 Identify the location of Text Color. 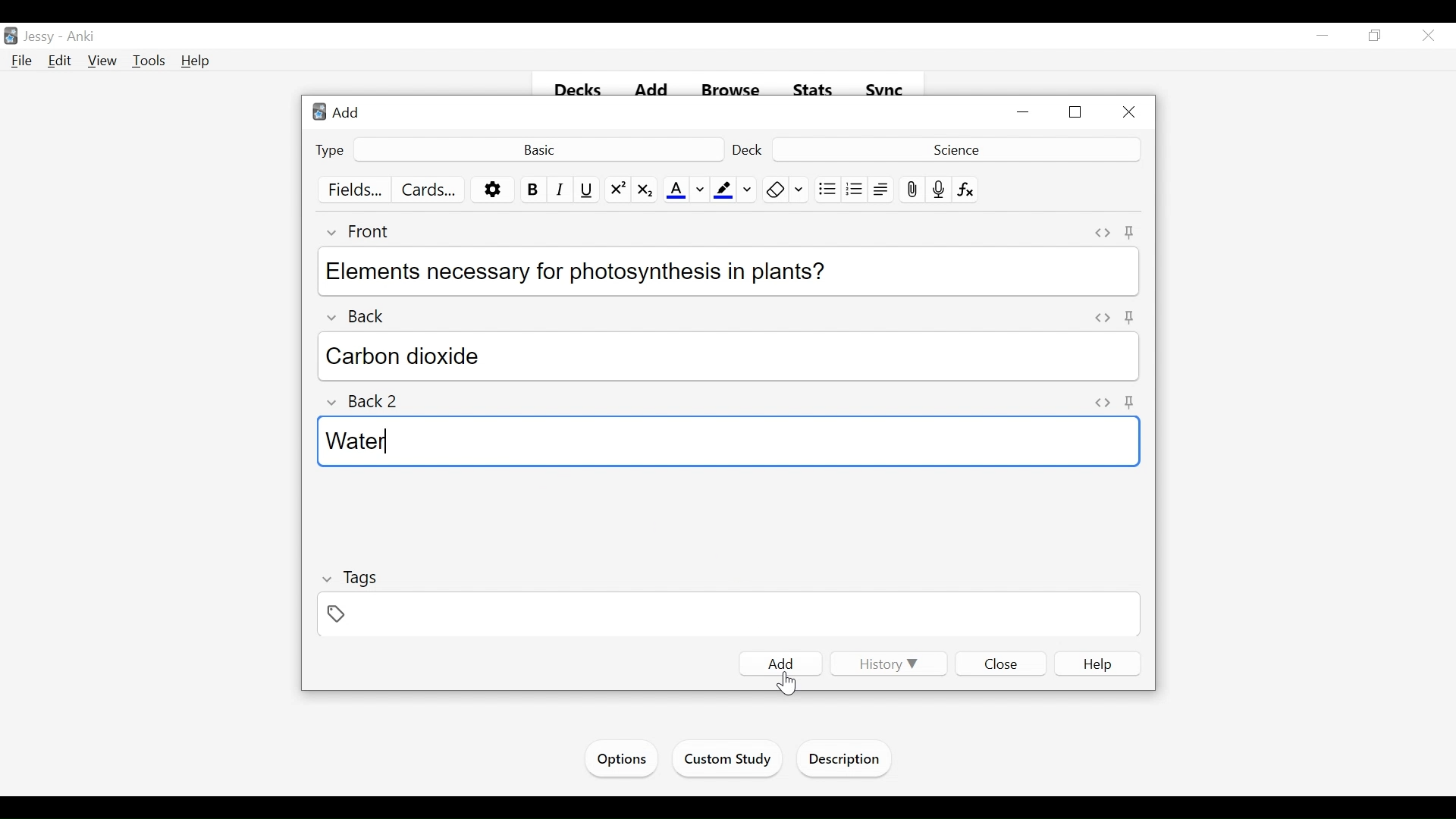
(676, 190).